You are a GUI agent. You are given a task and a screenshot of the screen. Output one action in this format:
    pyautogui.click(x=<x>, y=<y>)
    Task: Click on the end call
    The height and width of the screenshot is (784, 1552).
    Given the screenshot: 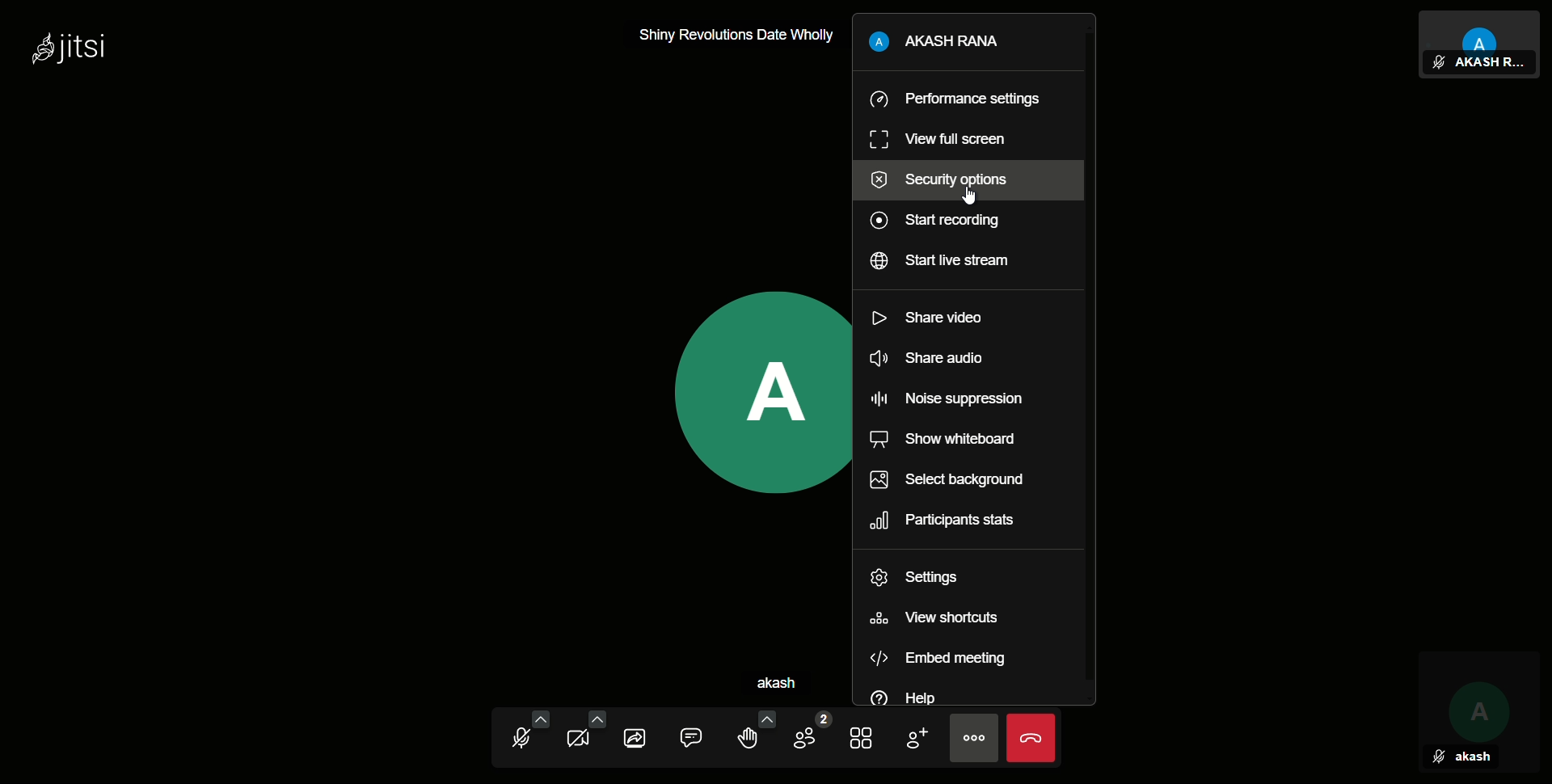 What is the action you would take?
    pyautogui.click(x=1030, y=737)
    